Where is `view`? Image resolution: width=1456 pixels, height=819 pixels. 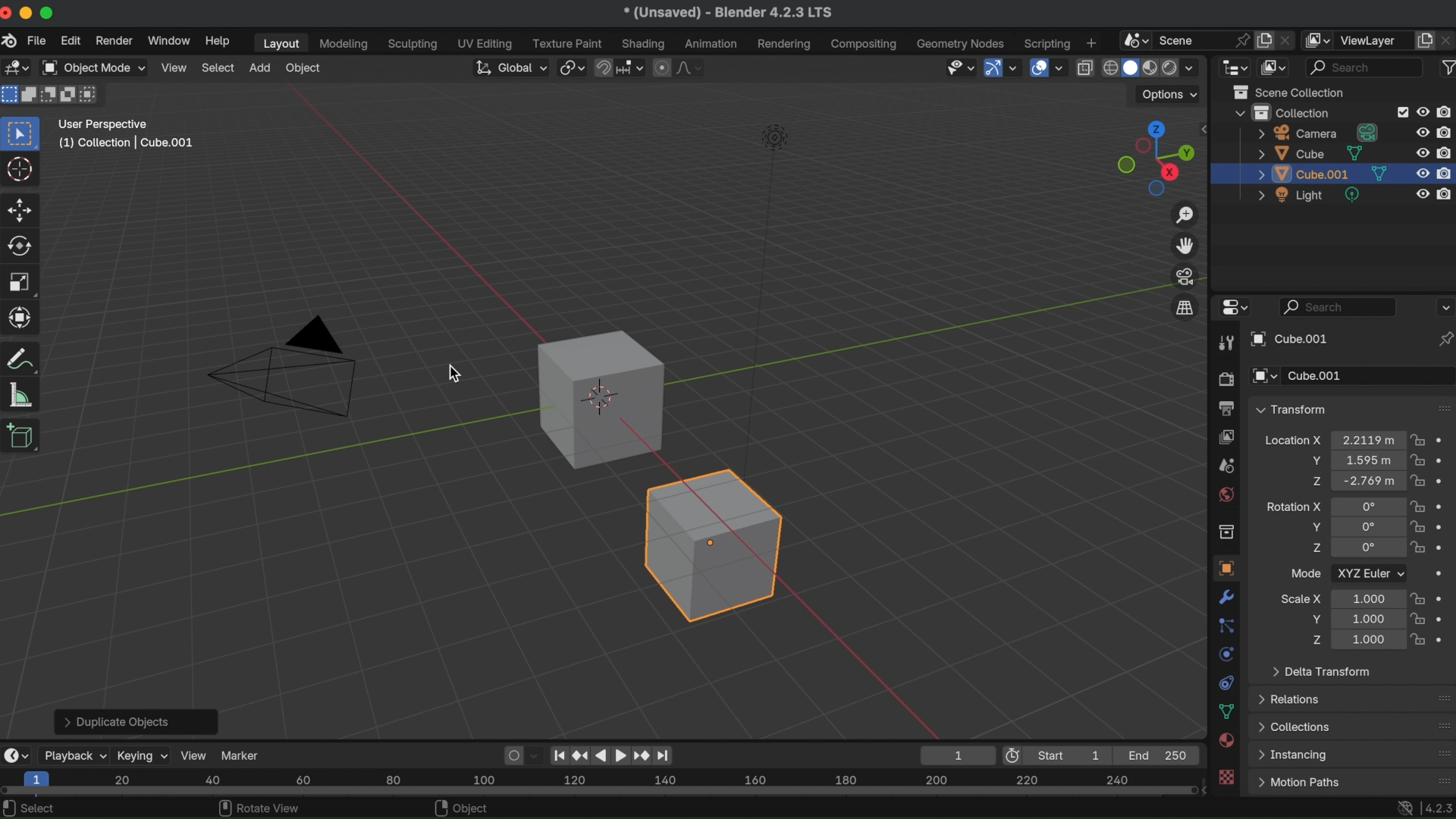
view is located at coordinates (194, 755).